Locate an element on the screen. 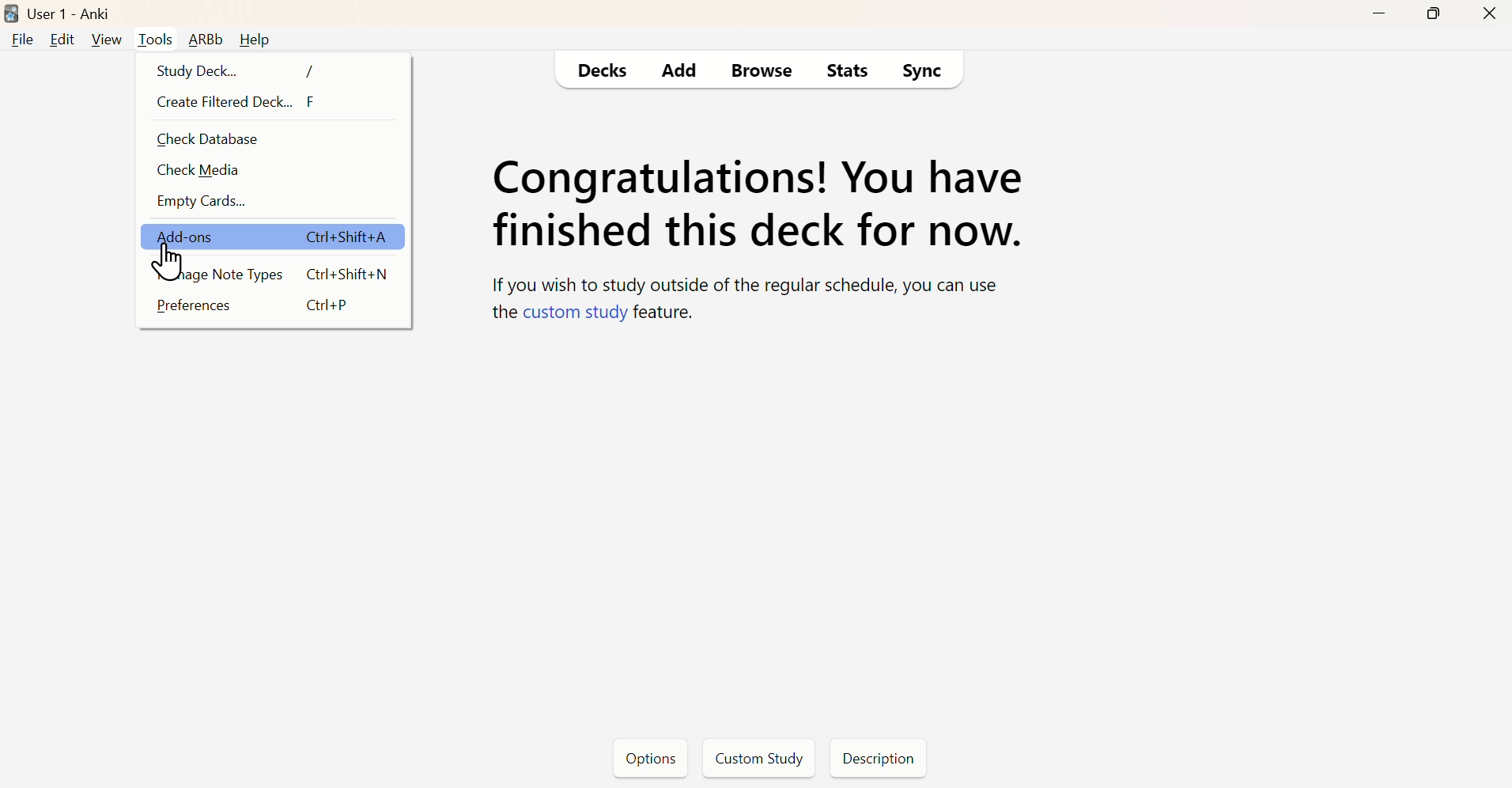 Image resolution: width=1512 pixels, height=788 pixels. Edit is located at coordinates (61, 40).